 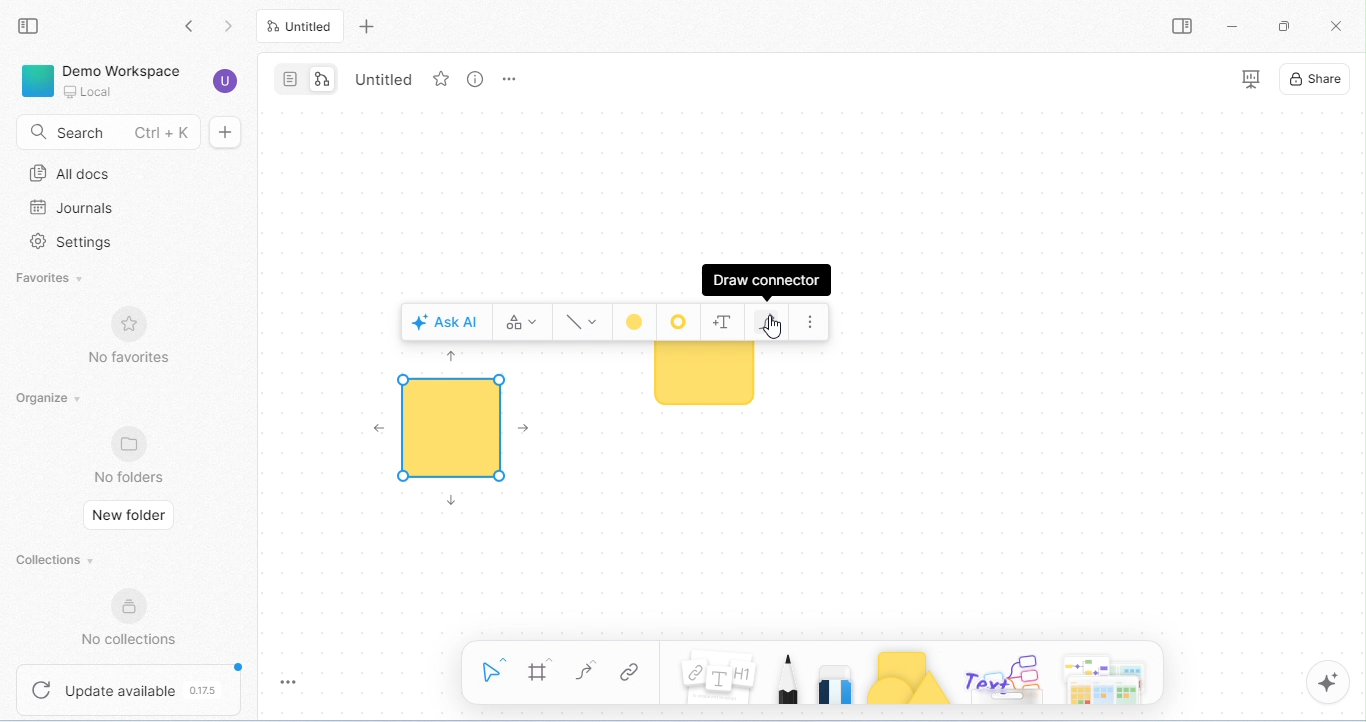 What do you see at coordinates (809, 321) in the screenshot?
I see `more` at bounding box center [809, 321].